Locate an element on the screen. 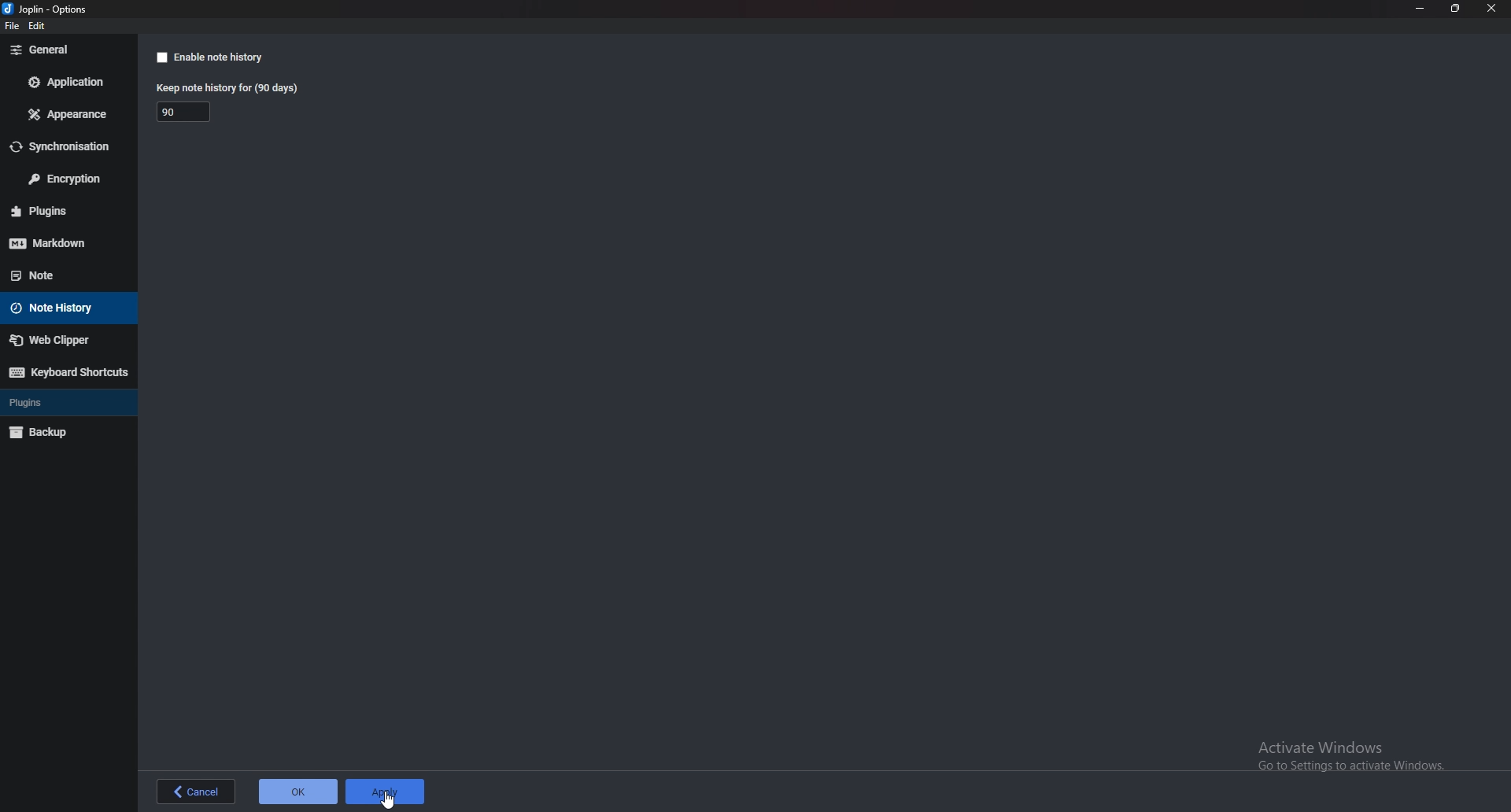 The image size is (1511, 812). Synchronization is located at coordinates (68, 146).